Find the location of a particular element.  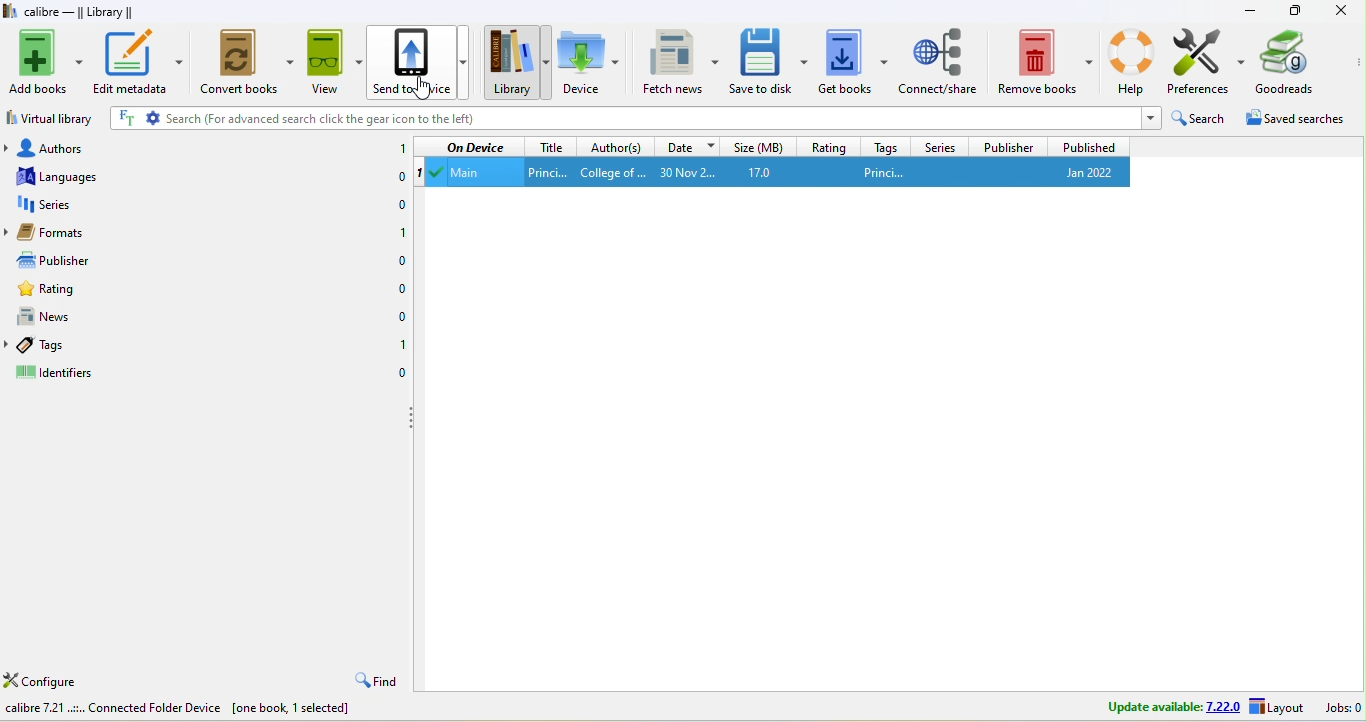

0 is located at coordinates (392, 263).